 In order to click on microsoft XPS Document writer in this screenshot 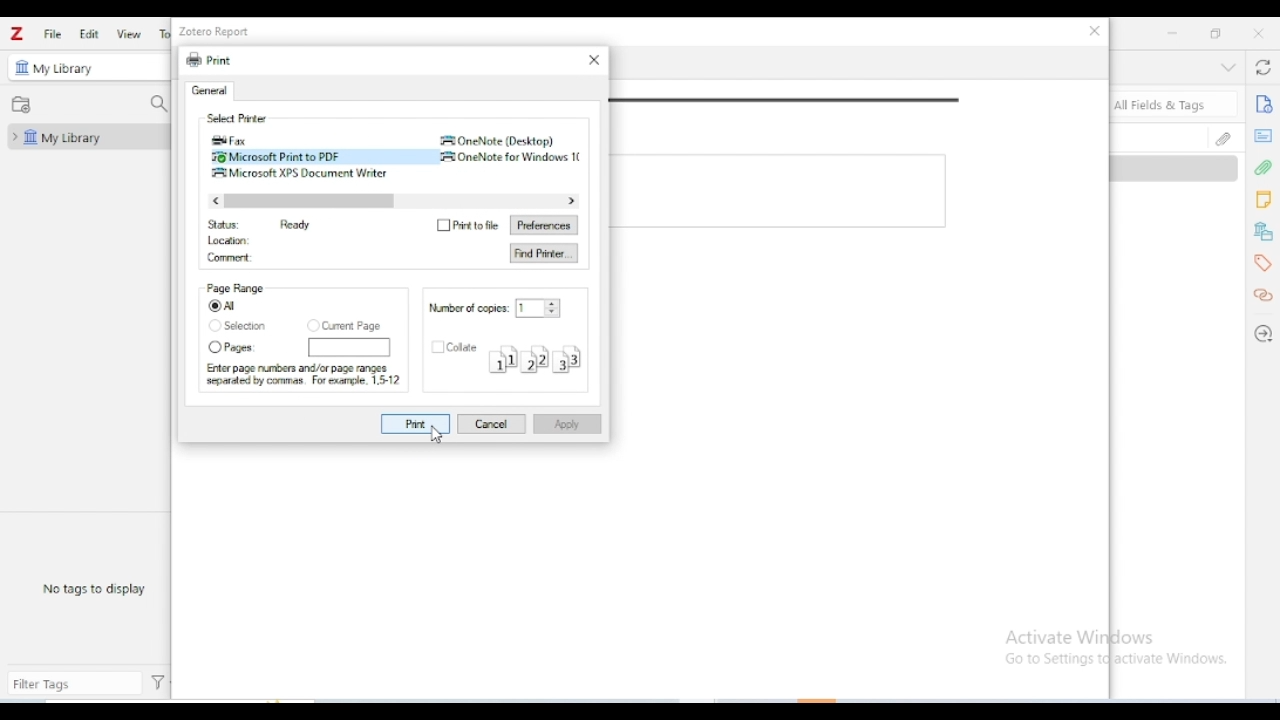, I will do `click(298, 173)`.